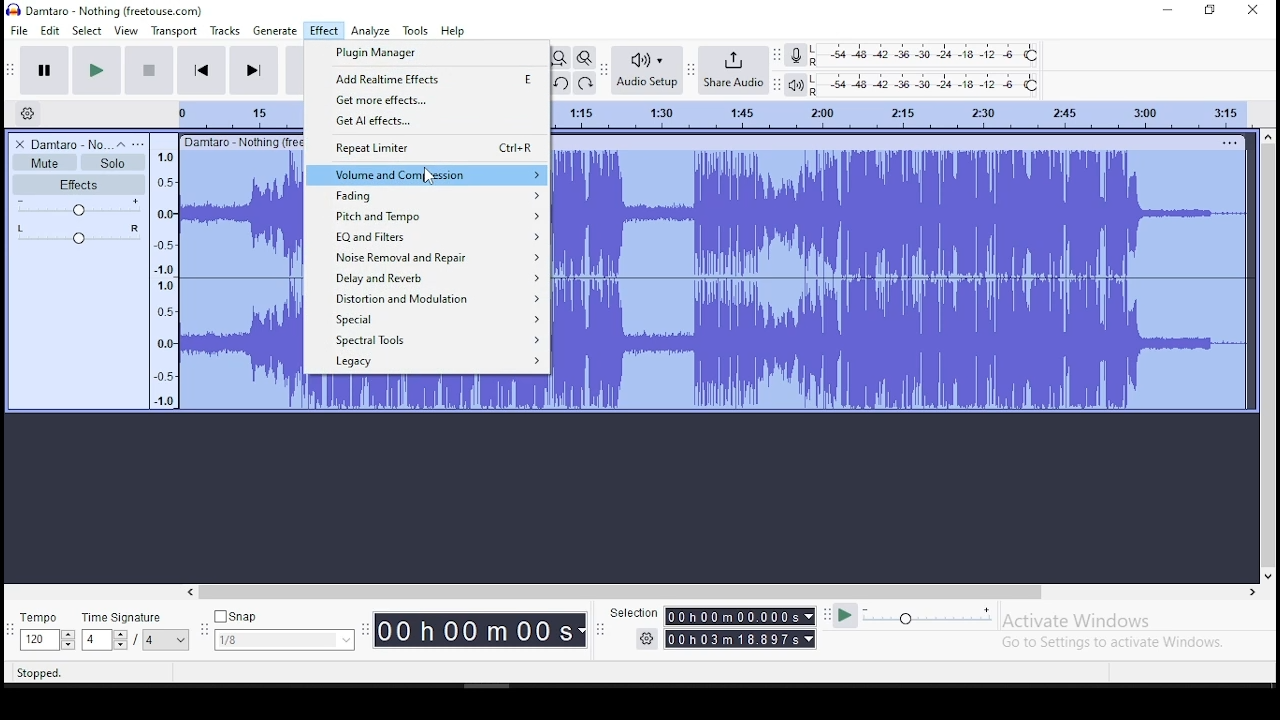 Image resolution: width=1280 pixels, height=720 pixels. I want to click on amplitude, so click(163, 272).